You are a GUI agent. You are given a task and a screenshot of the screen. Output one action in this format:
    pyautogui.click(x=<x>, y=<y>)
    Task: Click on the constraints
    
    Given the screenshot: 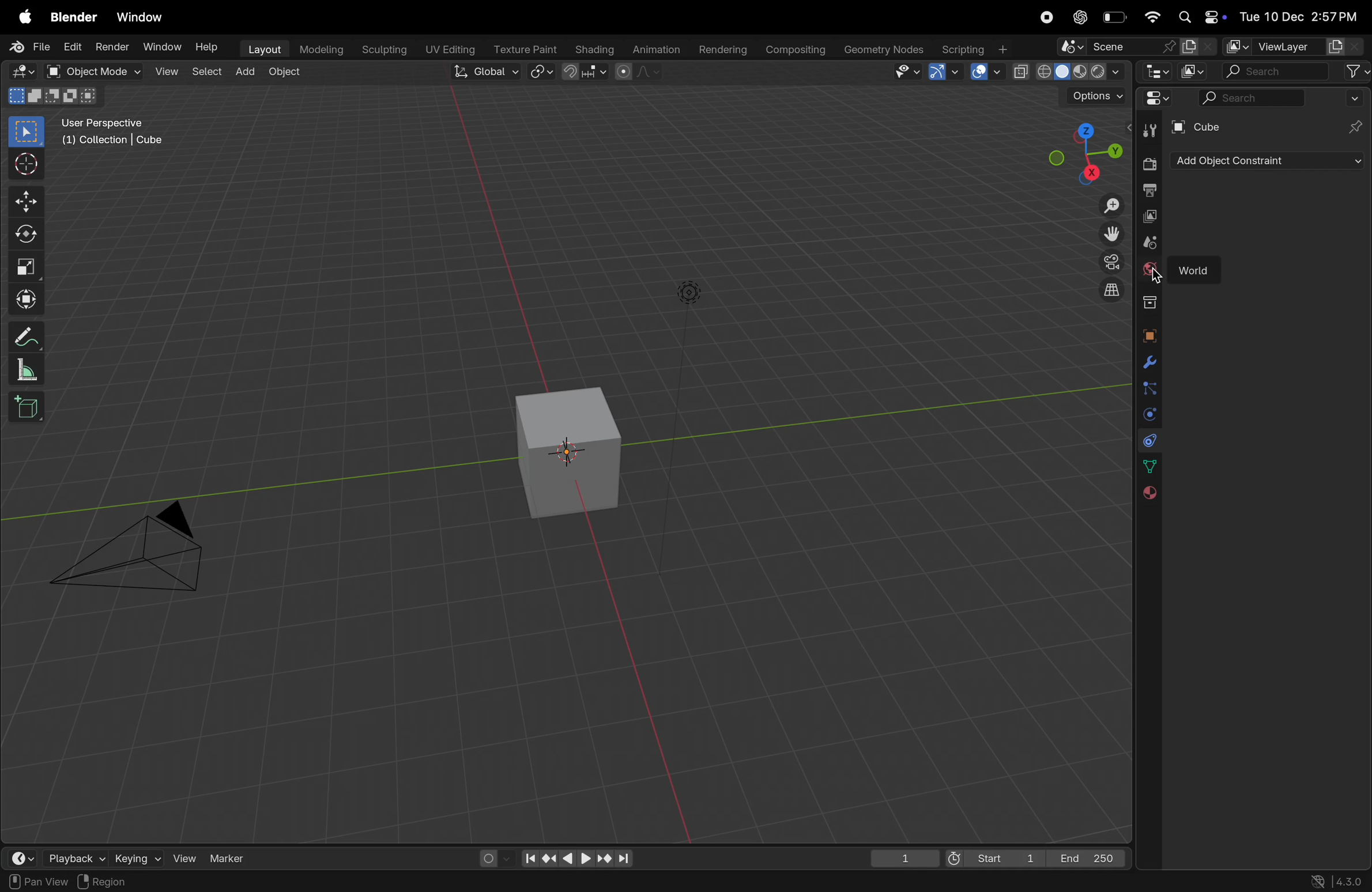 What is the action you would take?
    pyautogui.click(x=1148, y=440)
    